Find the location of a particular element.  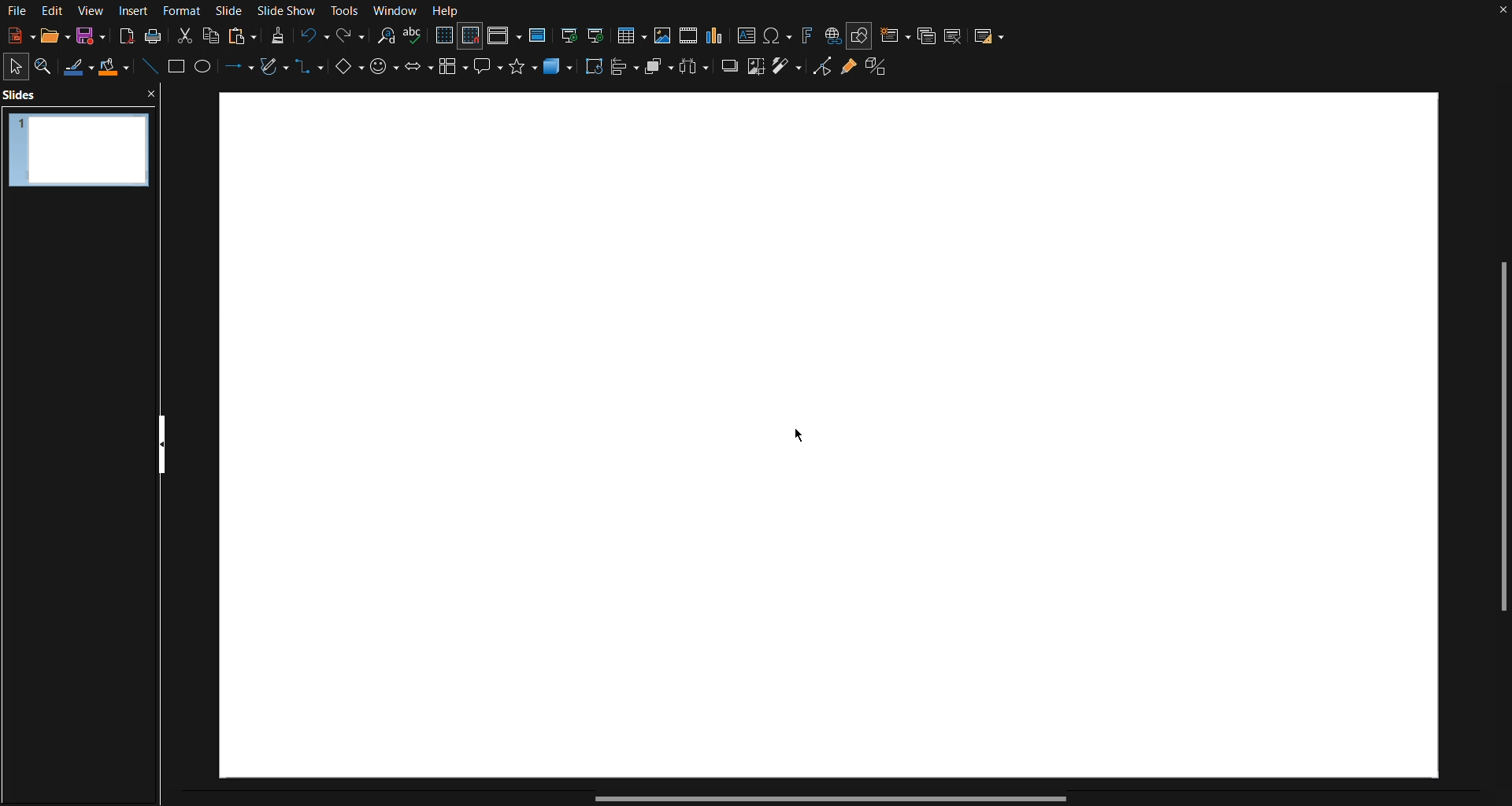

Line is located at coordinates (148, 69).